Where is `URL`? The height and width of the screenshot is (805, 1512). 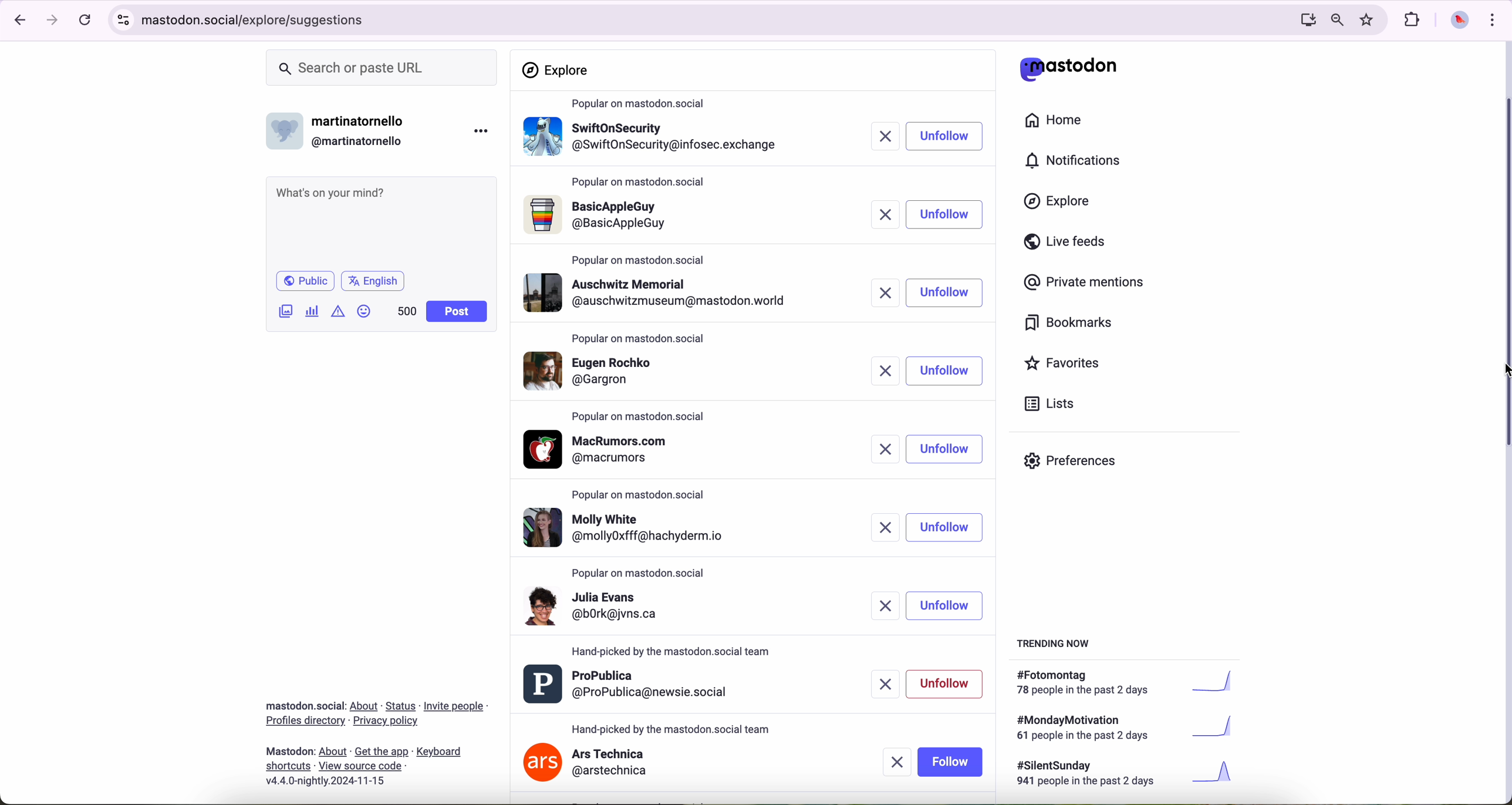
URL is located at coordinates (258, 18).